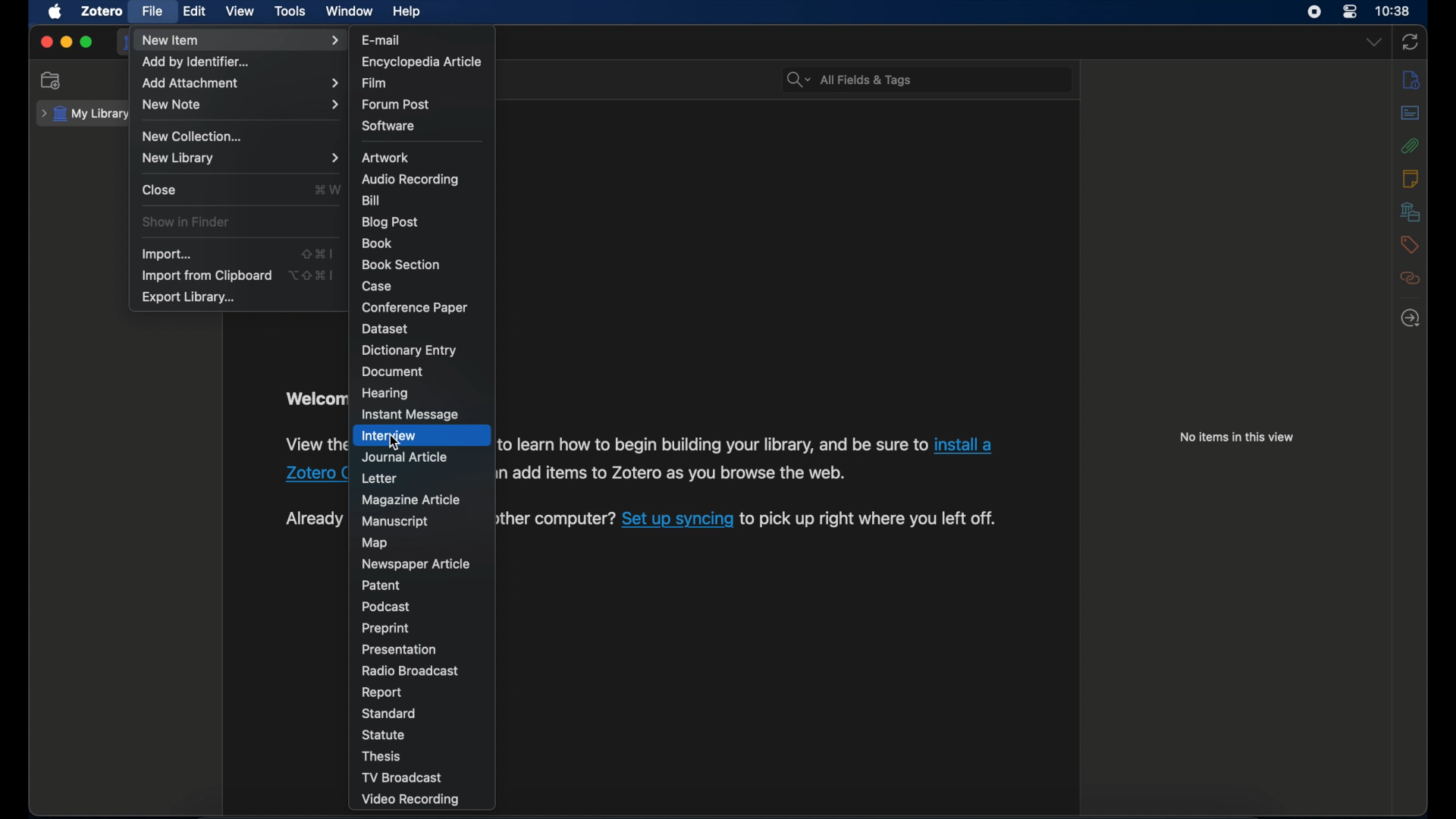  What do you see at coordinates (1410, 244) in the screenshot?
I see `tags` at bounding box center [1410, 244].